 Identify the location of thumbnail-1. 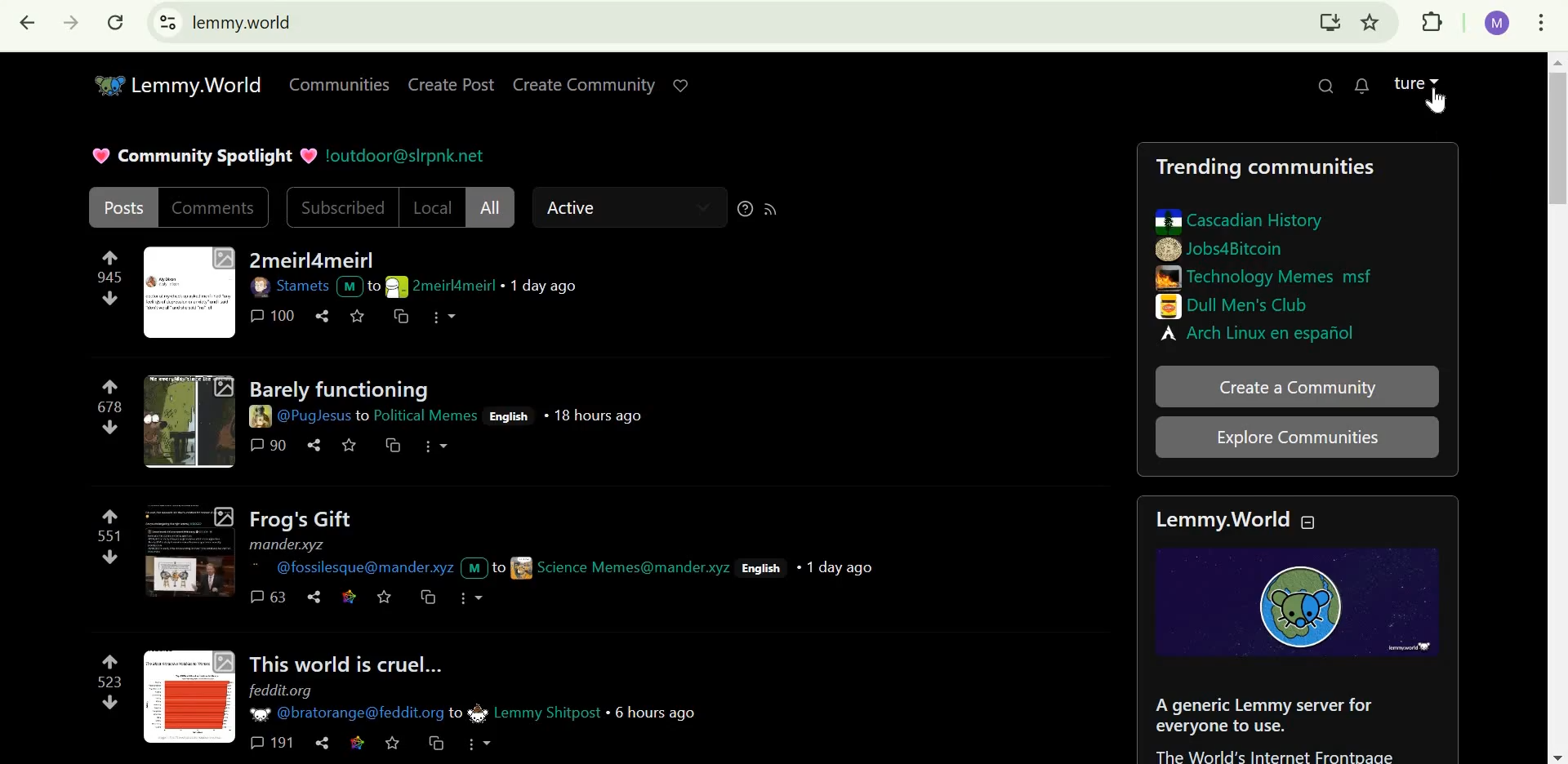
(189, 293).